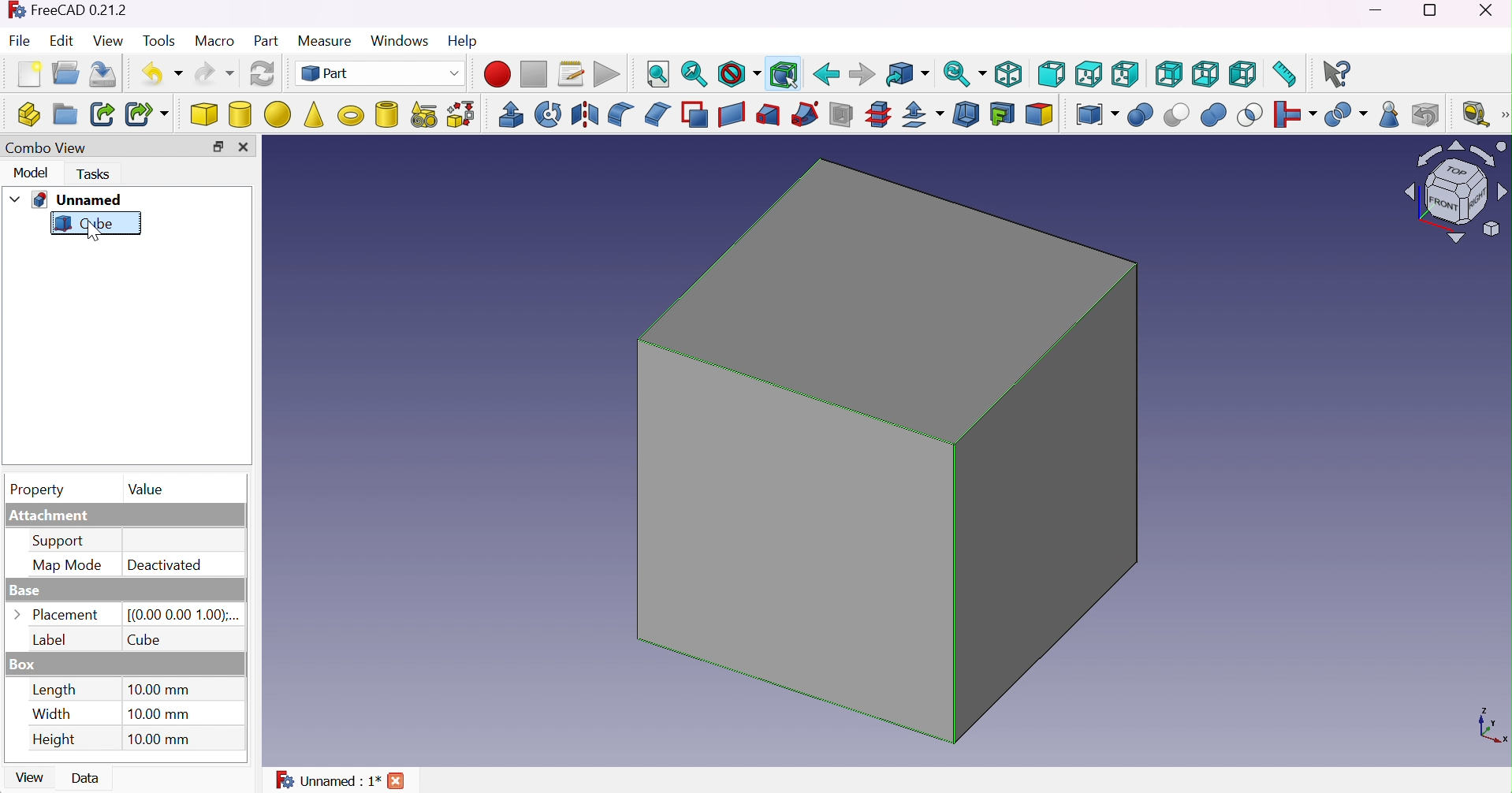 Image resolution: width=1512 pixels, height=793 pixels. Describe the element at coordinates (497, 74) in the screenshot. I see `Macro recording` at that location.